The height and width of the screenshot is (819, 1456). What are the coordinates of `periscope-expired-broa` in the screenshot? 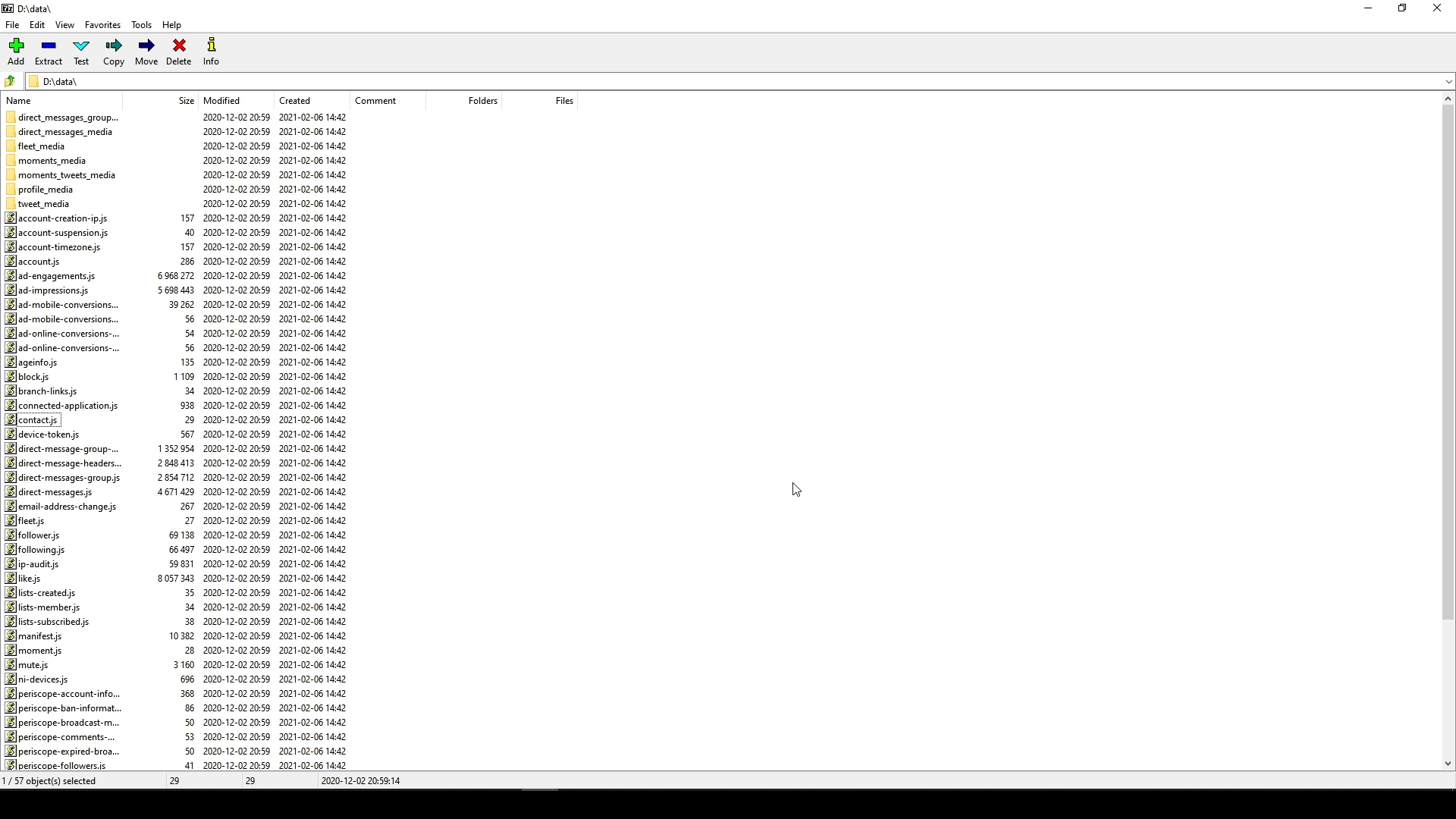 It's located at (64, 750).